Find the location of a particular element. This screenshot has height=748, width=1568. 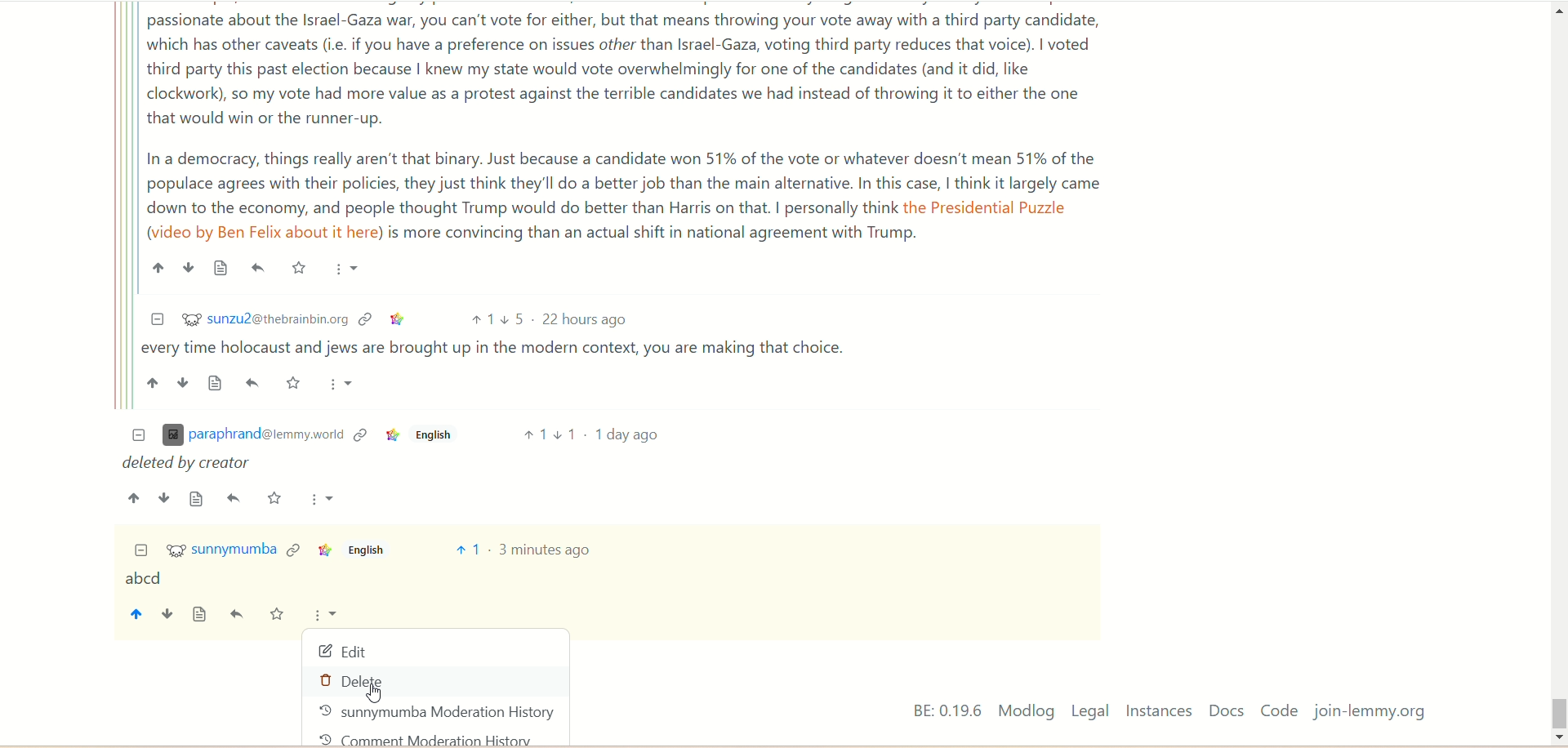

link is located at coordinates (293, 548).